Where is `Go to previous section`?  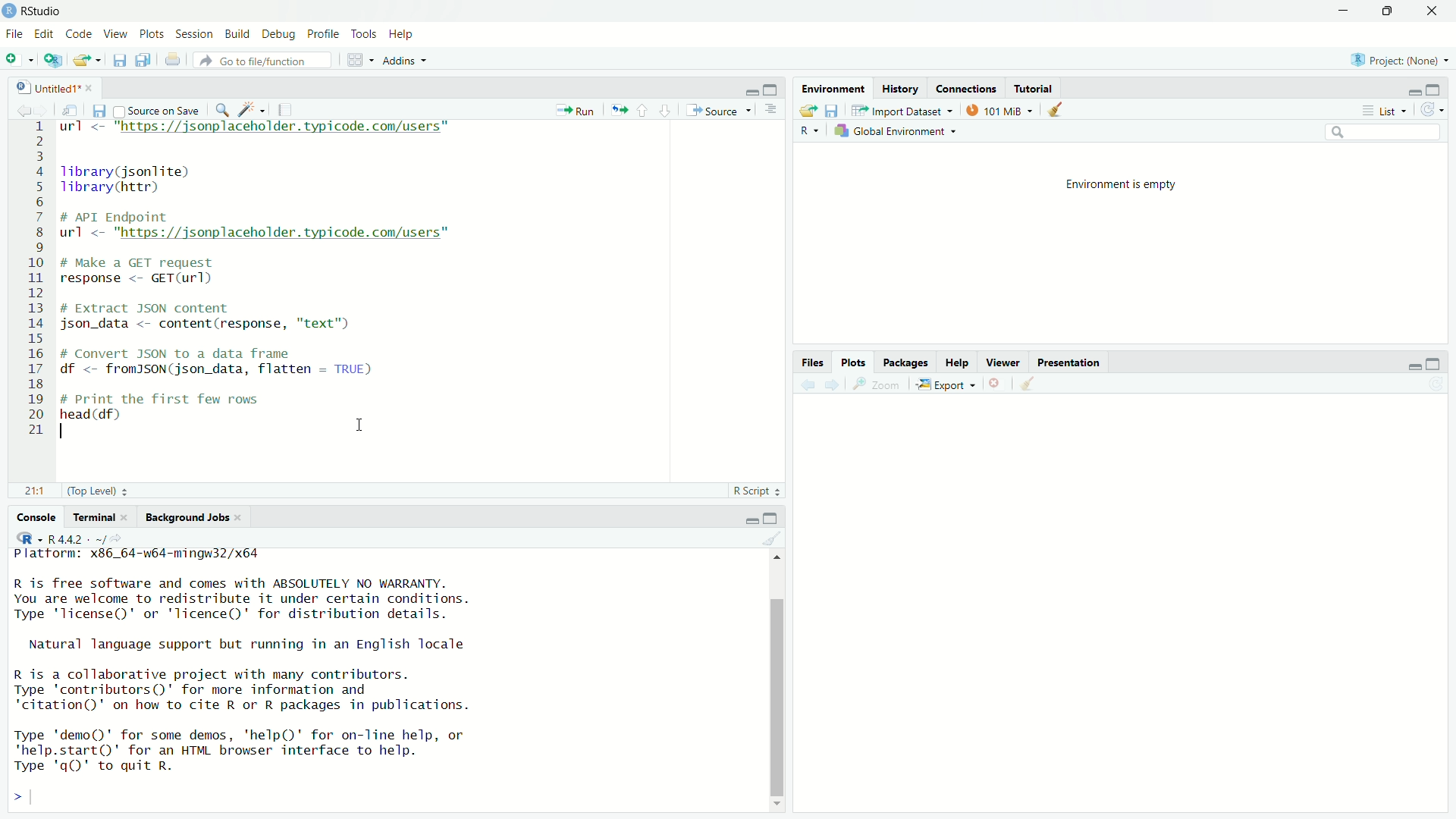 Go to previous section is located at coordinates (642, 111).